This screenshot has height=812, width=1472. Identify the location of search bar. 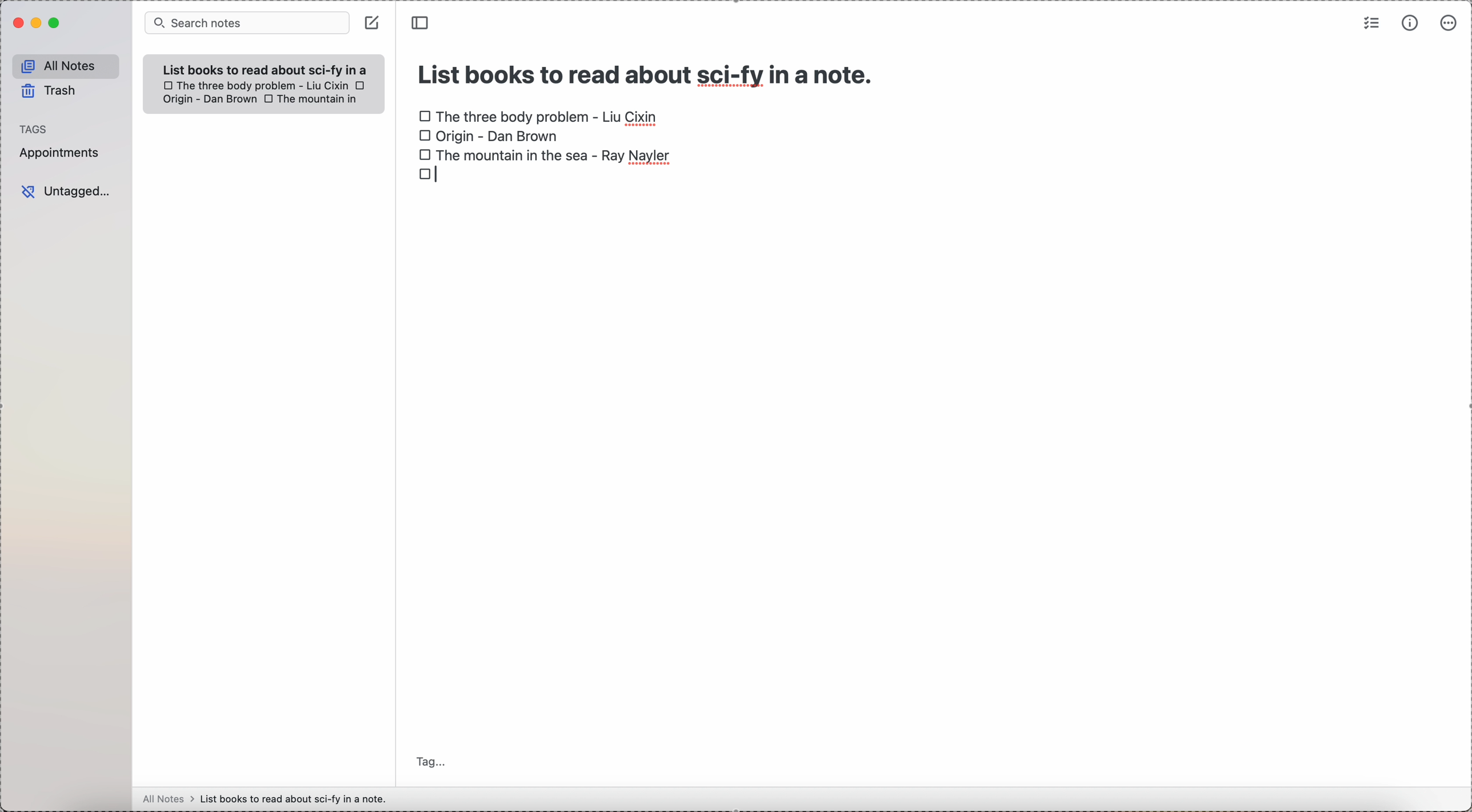
(246, 23).